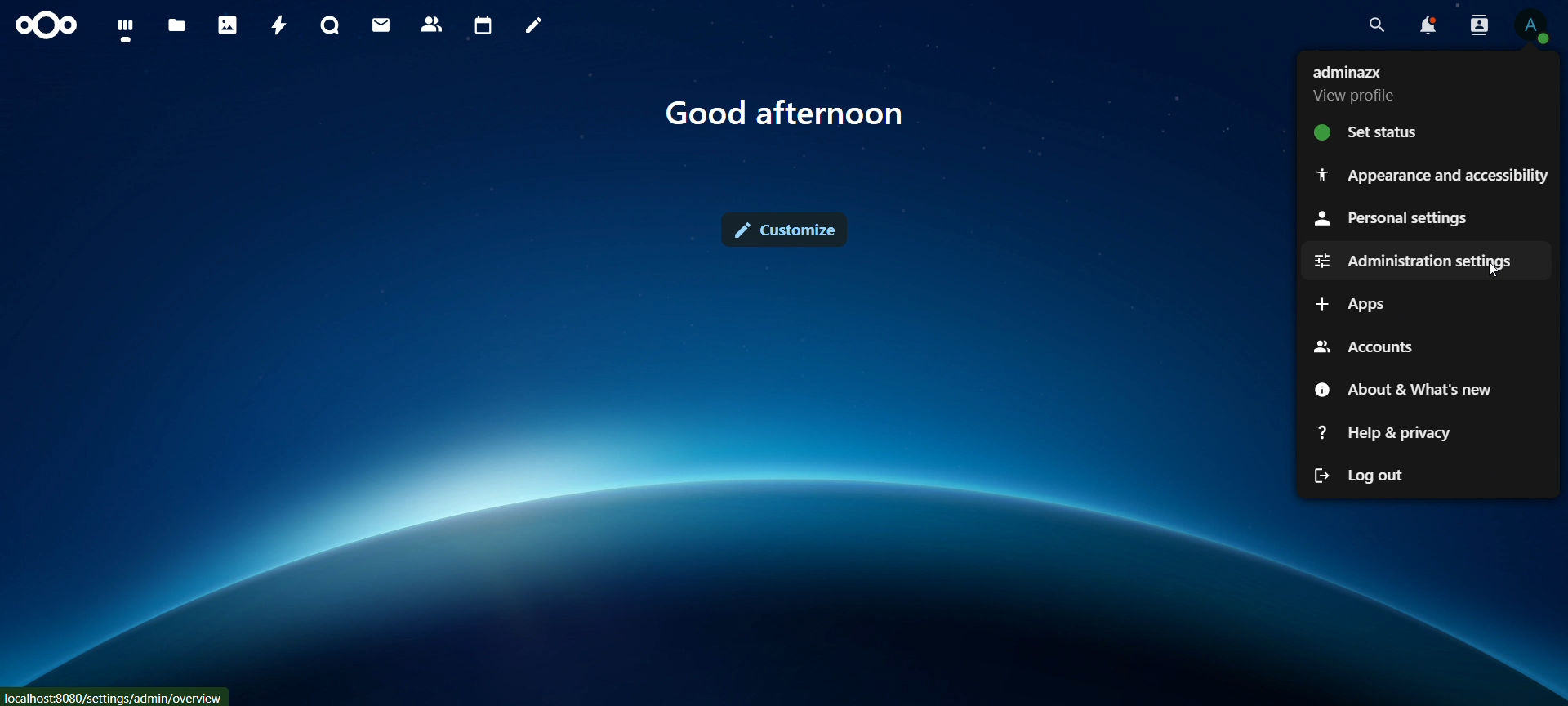 The height and width of the screenshot is (706, 1568). I want to click on notes, so click(533, 26).